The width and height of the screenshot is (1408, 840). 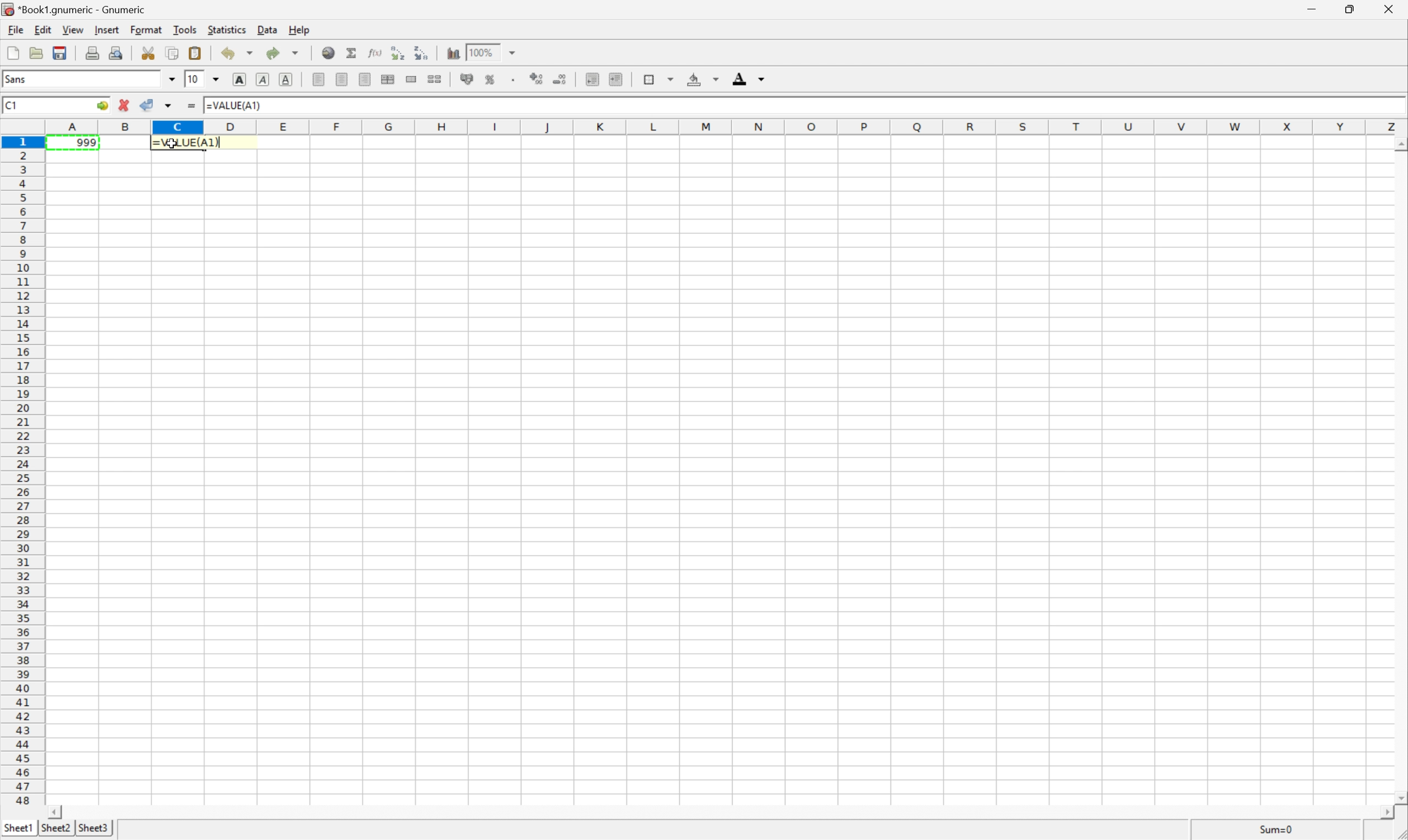 What do you see at coordinates (149, 56) in the screenshot?
I see `cut` at bounding box center [149, 56].